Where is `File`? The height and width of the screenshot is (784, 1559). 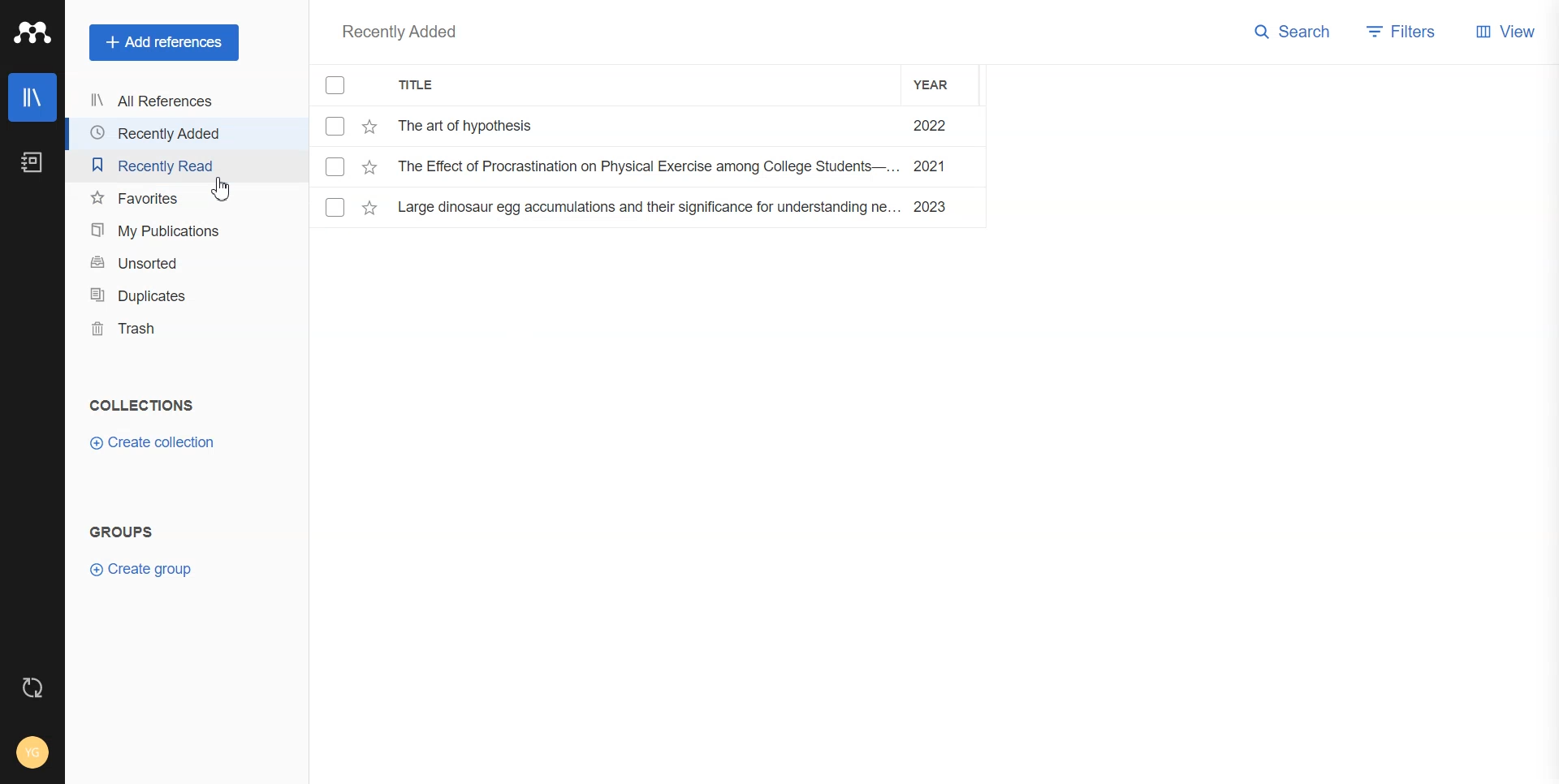 File is located at coordinates (652, 207).